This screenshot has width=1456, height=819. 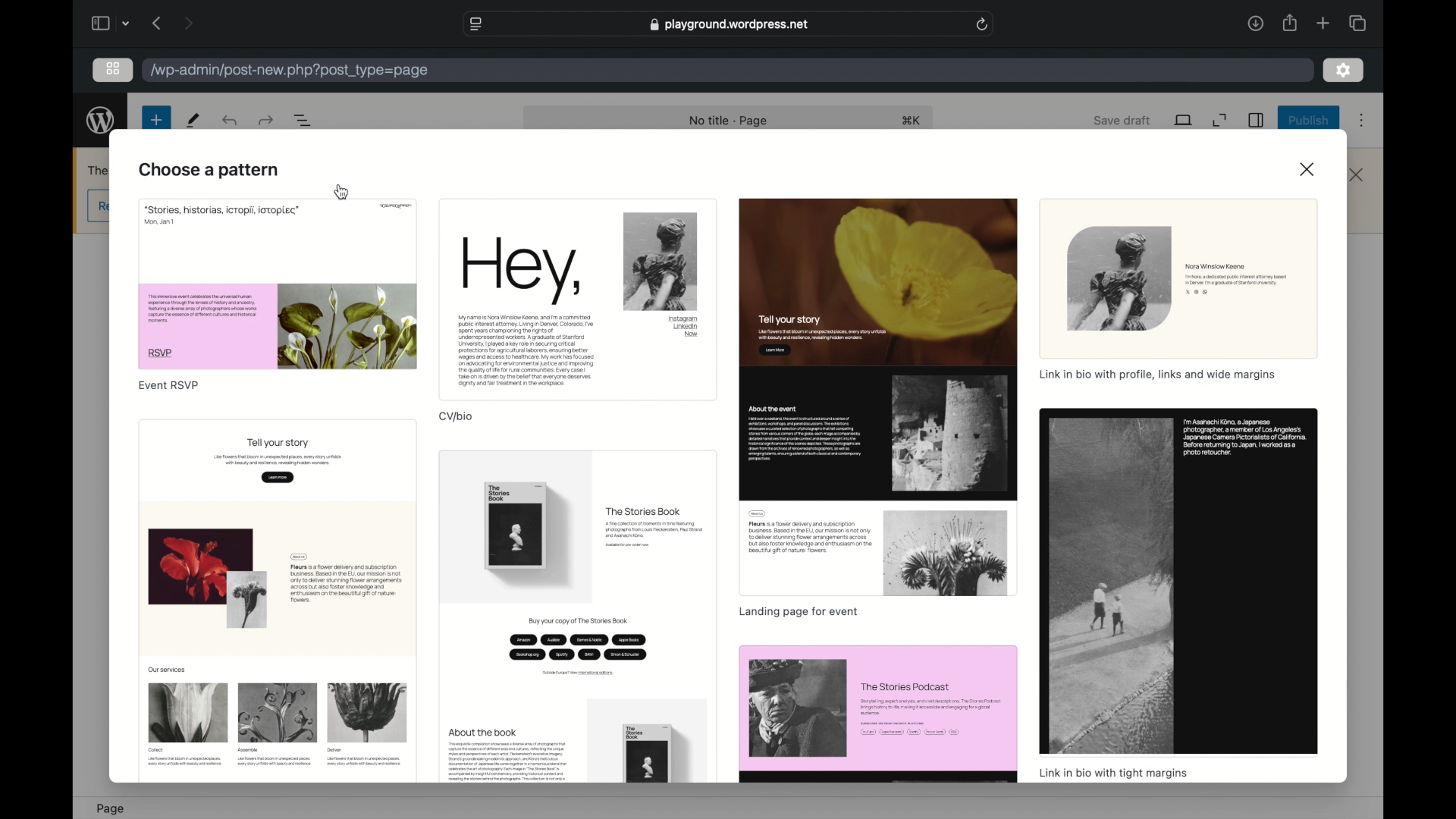 What do you see at coordinates (1323, 23) in the screenshot?
I see `new tab` at bounding box center [1323, 23].